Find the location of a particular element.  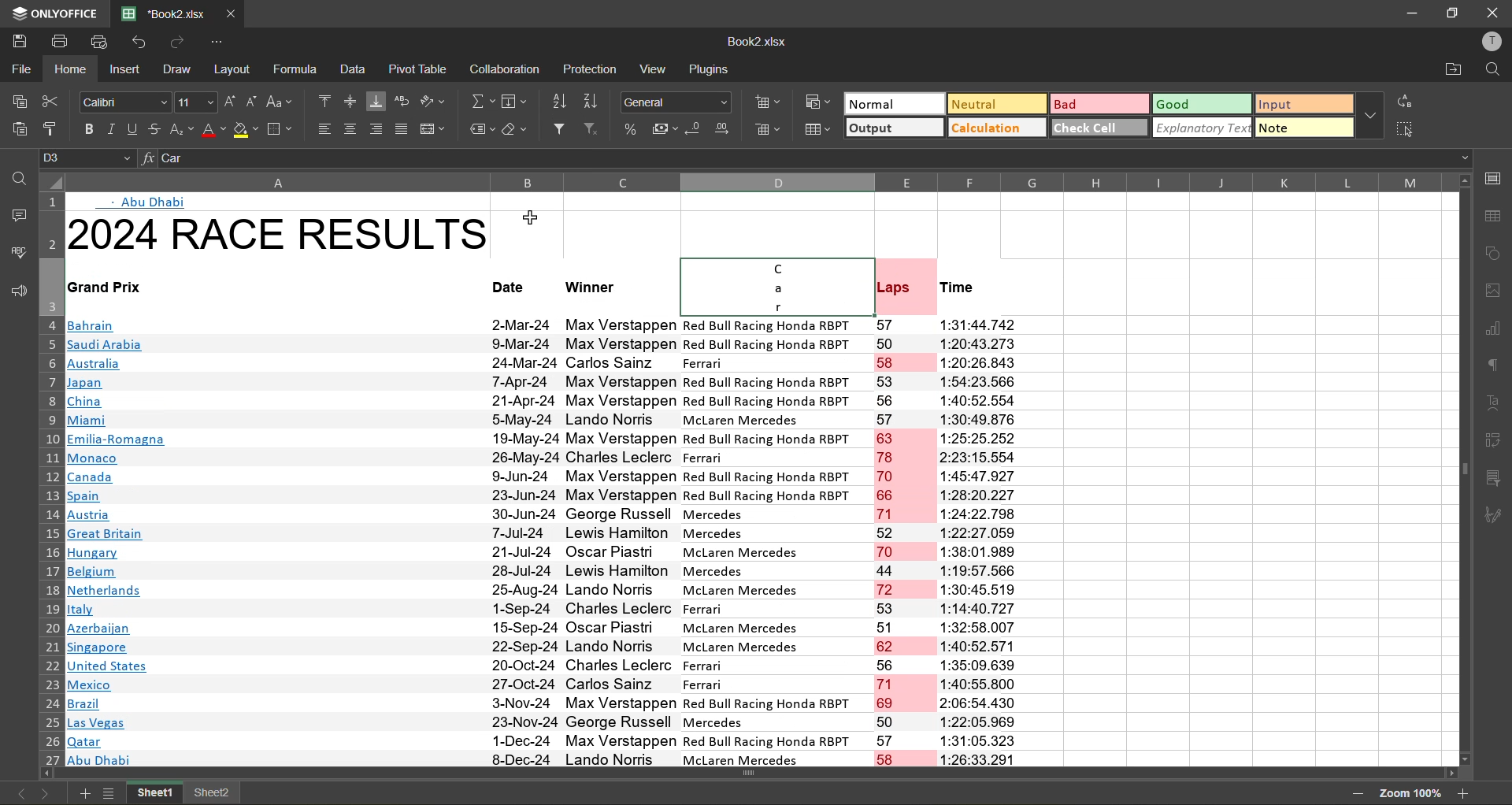

maximize is located at coordinates (1460, 12).